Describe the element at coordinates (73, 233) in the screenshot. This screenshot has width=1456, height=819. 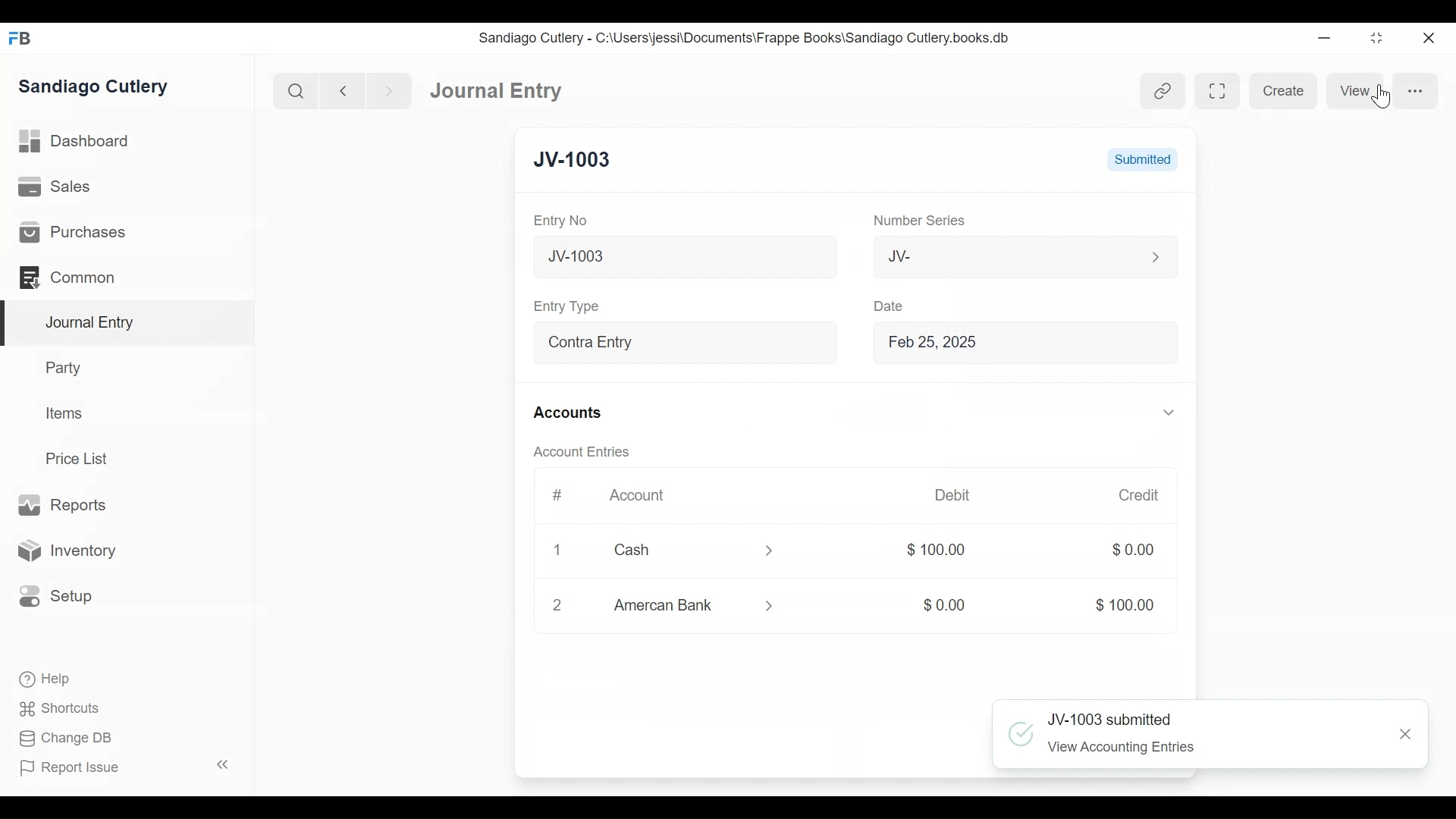
I see `Purchases` at that location.